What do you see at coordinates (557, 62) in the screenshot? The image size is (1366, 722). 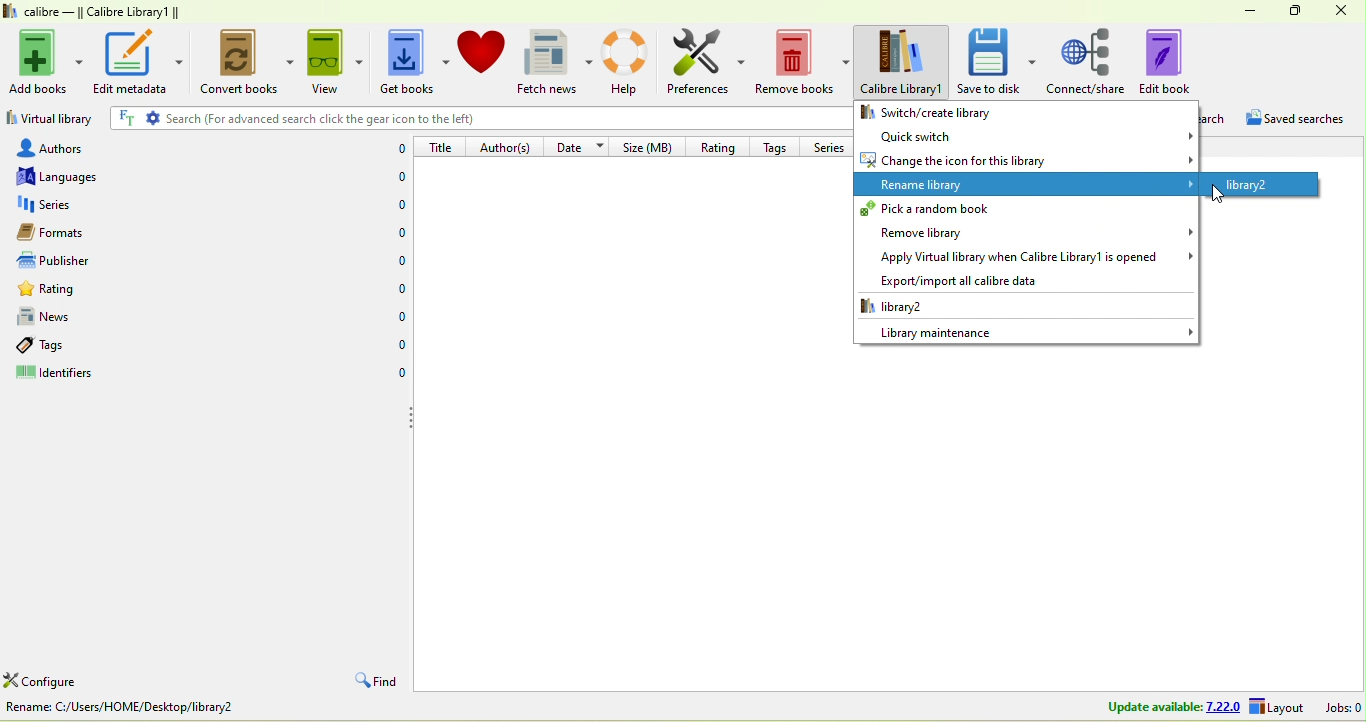 I see `fetch news` at bounding box center [557, 62].